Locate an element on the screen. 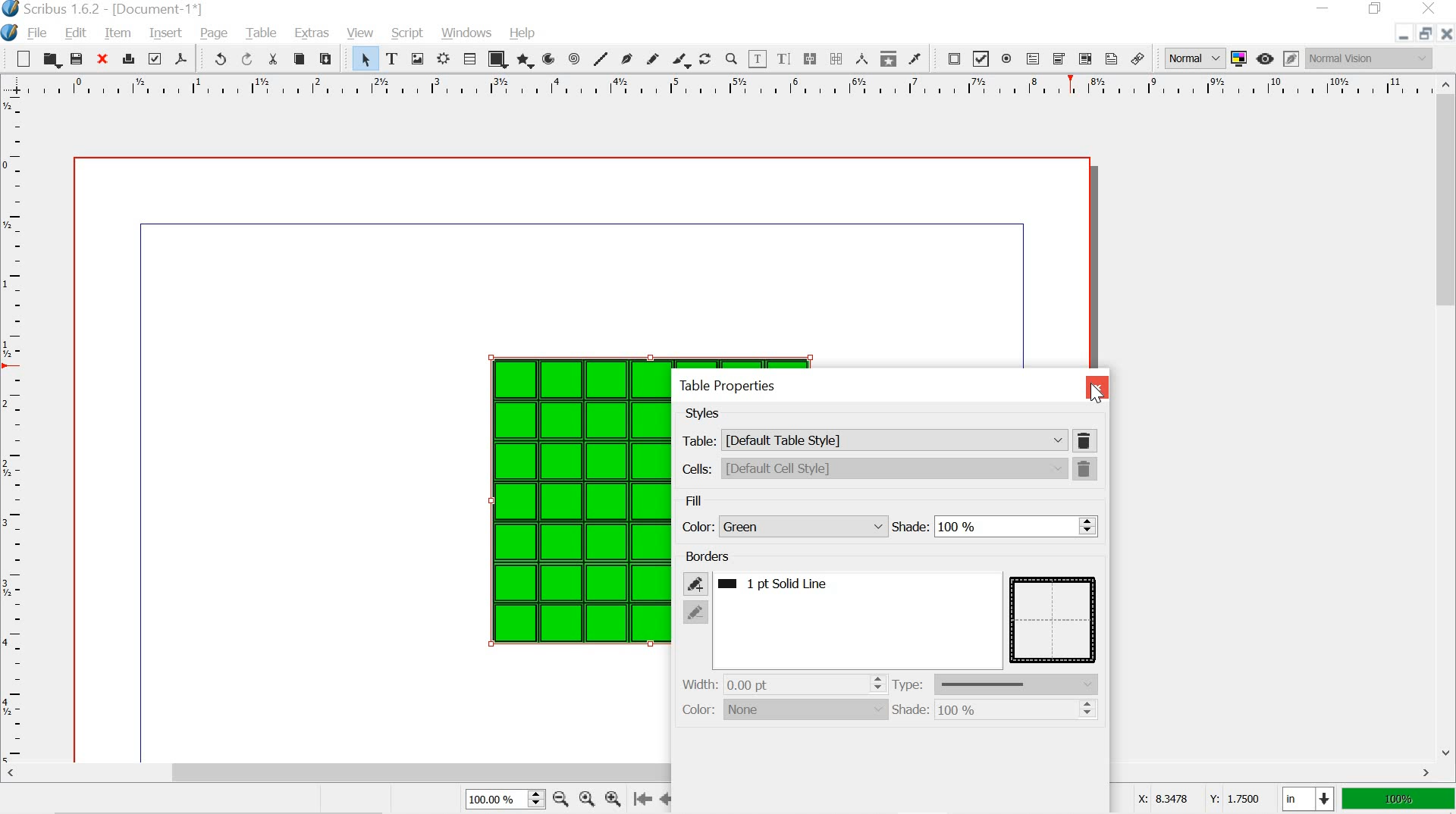  add border is located at coordinates (695, 583).